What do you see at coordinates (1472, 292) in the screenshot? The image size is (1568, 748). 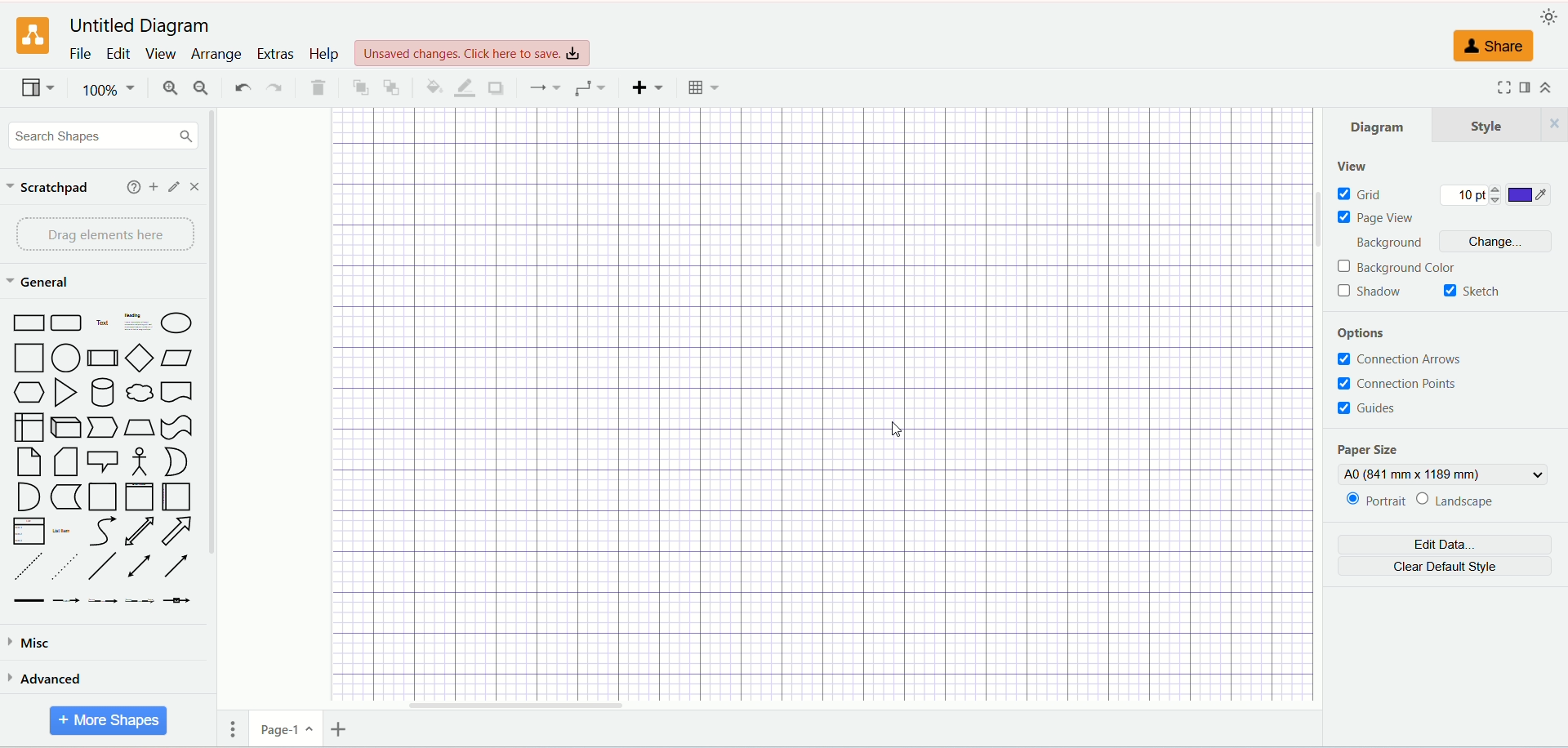 I see `sketch` at bounding box center [1472, 292].